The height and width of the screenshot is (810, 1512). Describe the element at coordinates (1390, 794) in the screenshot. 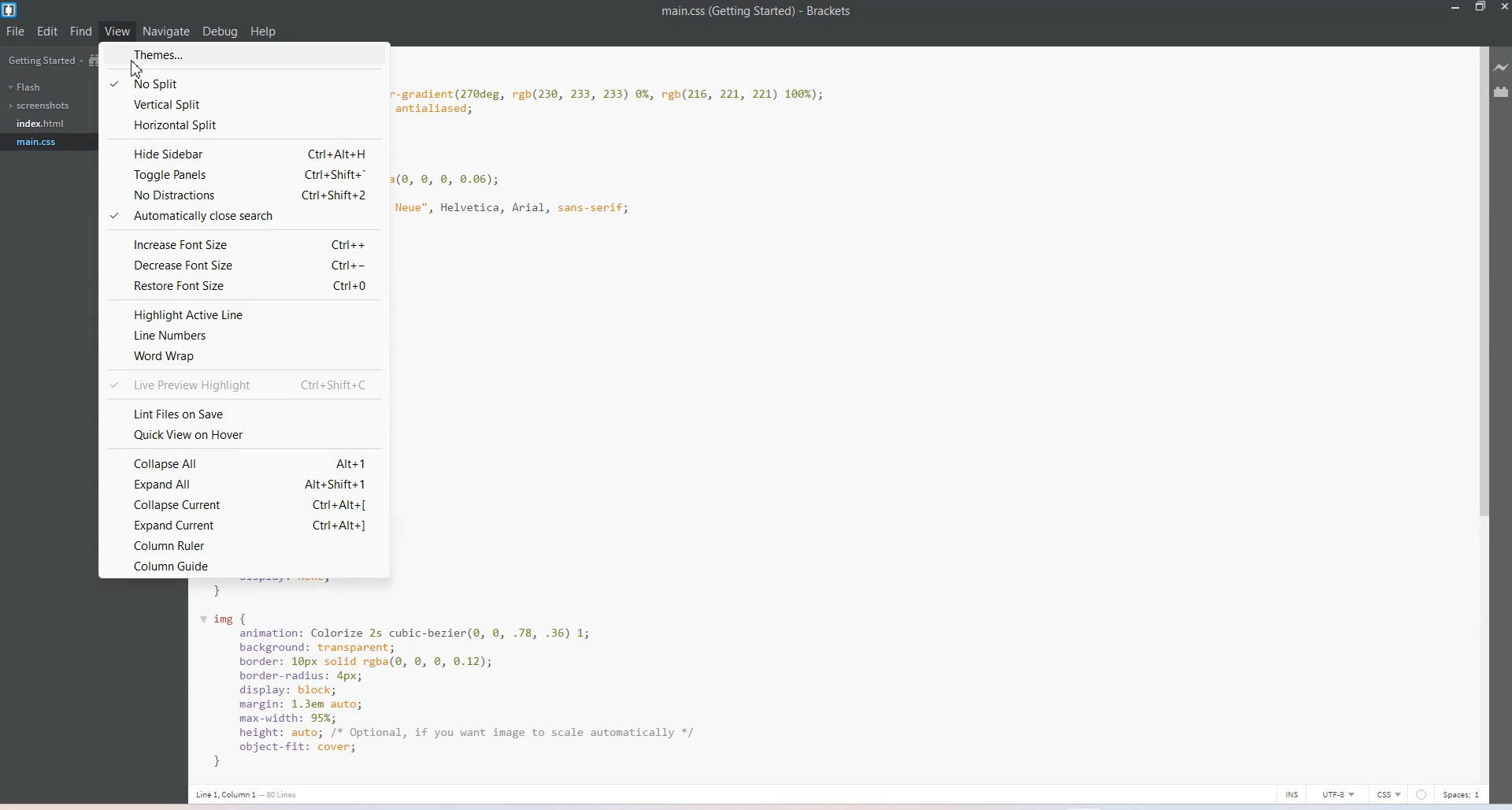

I see `CSS` at that location.